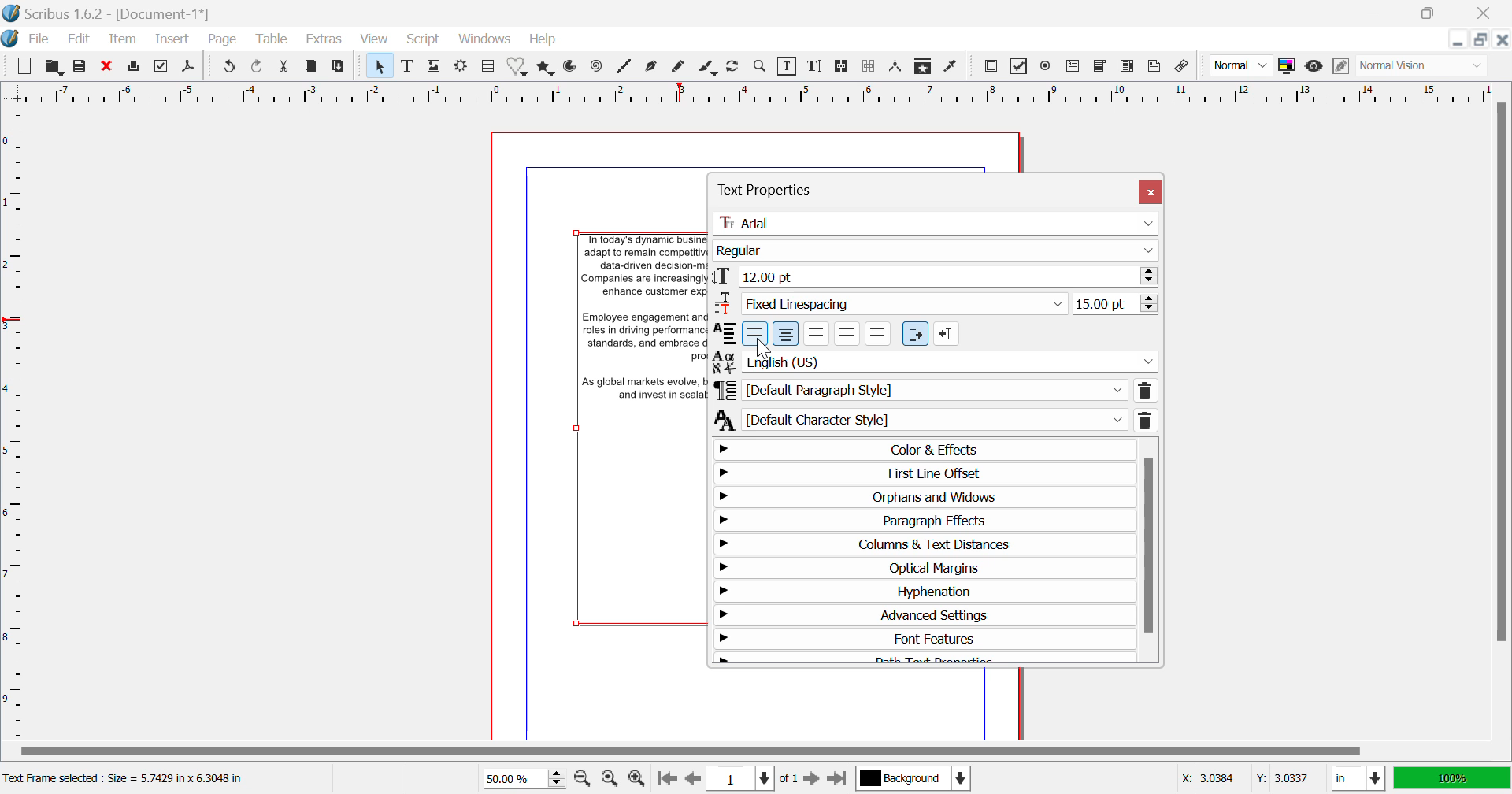 The image size is (1512, 794). What do you see at coordinates (736, 67) in the screenshot?
I see `Refresh` at bounding box center [736, 67].